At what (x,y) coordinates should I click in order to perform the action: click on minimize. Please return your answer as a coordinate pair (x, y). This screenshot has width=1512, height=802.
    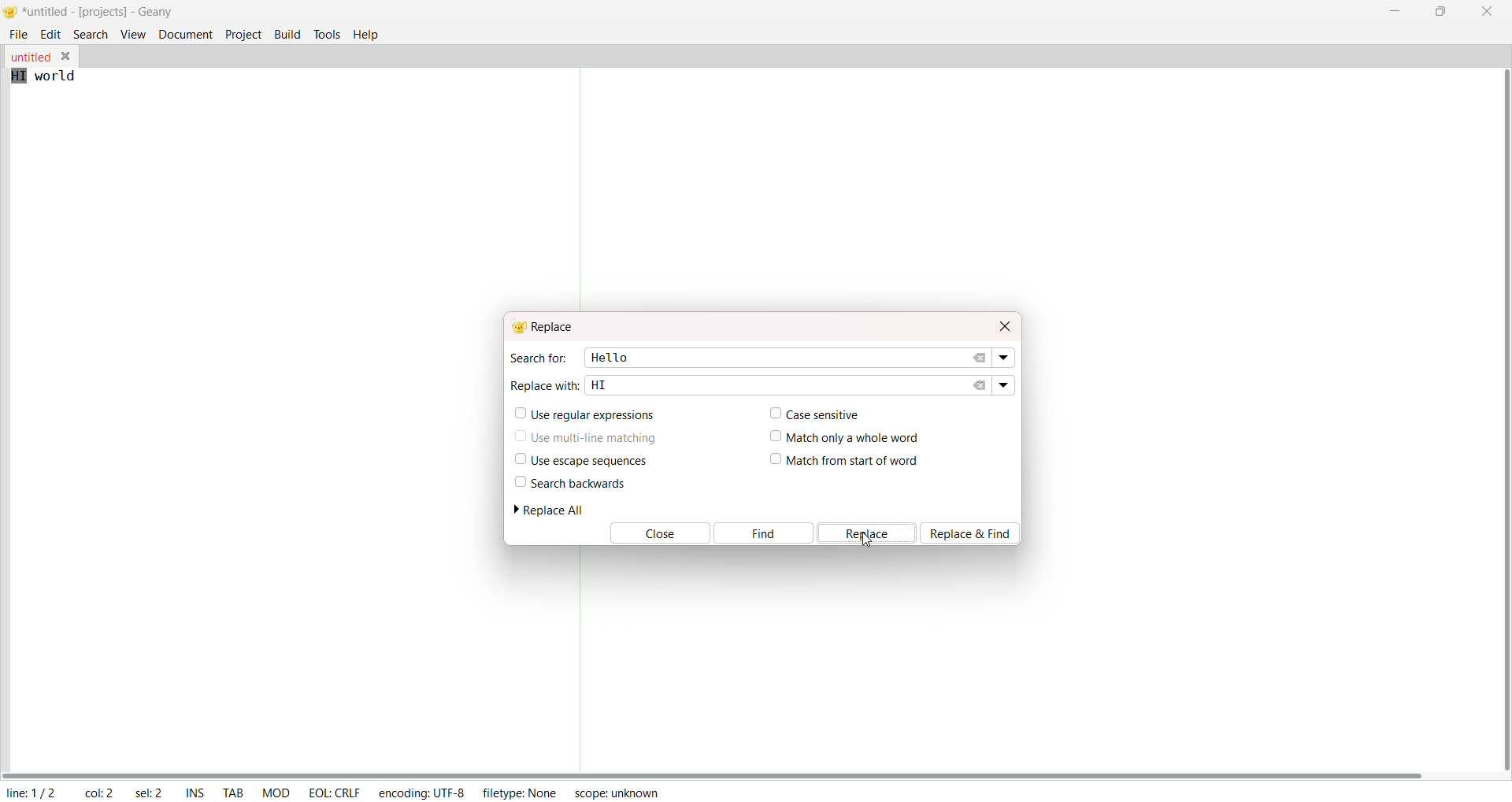
    Looking at the image, I should click on (1399, 9).